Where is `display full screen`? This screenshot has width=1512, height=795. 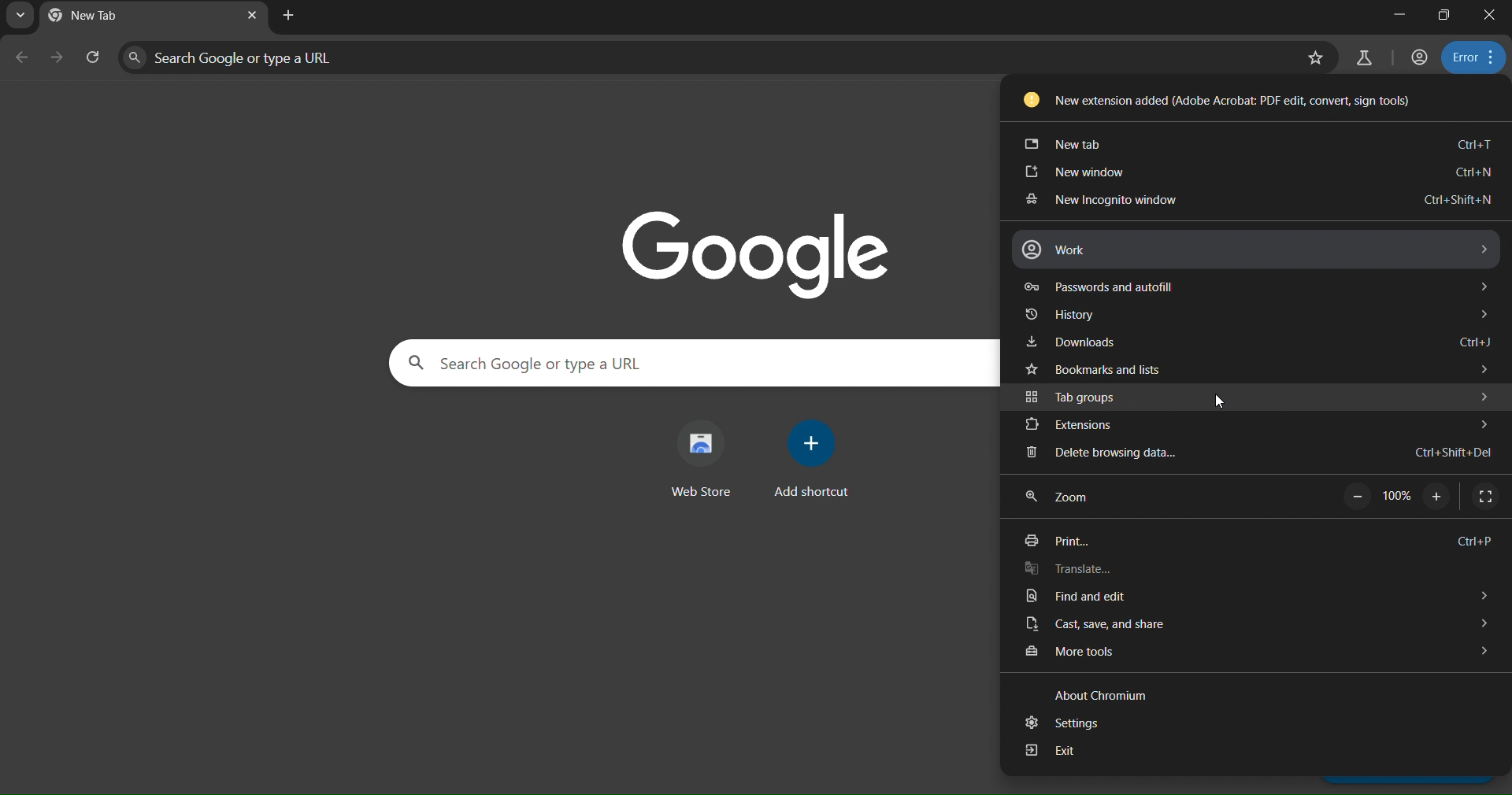 display full screen is located at coordinates (1484, 497).